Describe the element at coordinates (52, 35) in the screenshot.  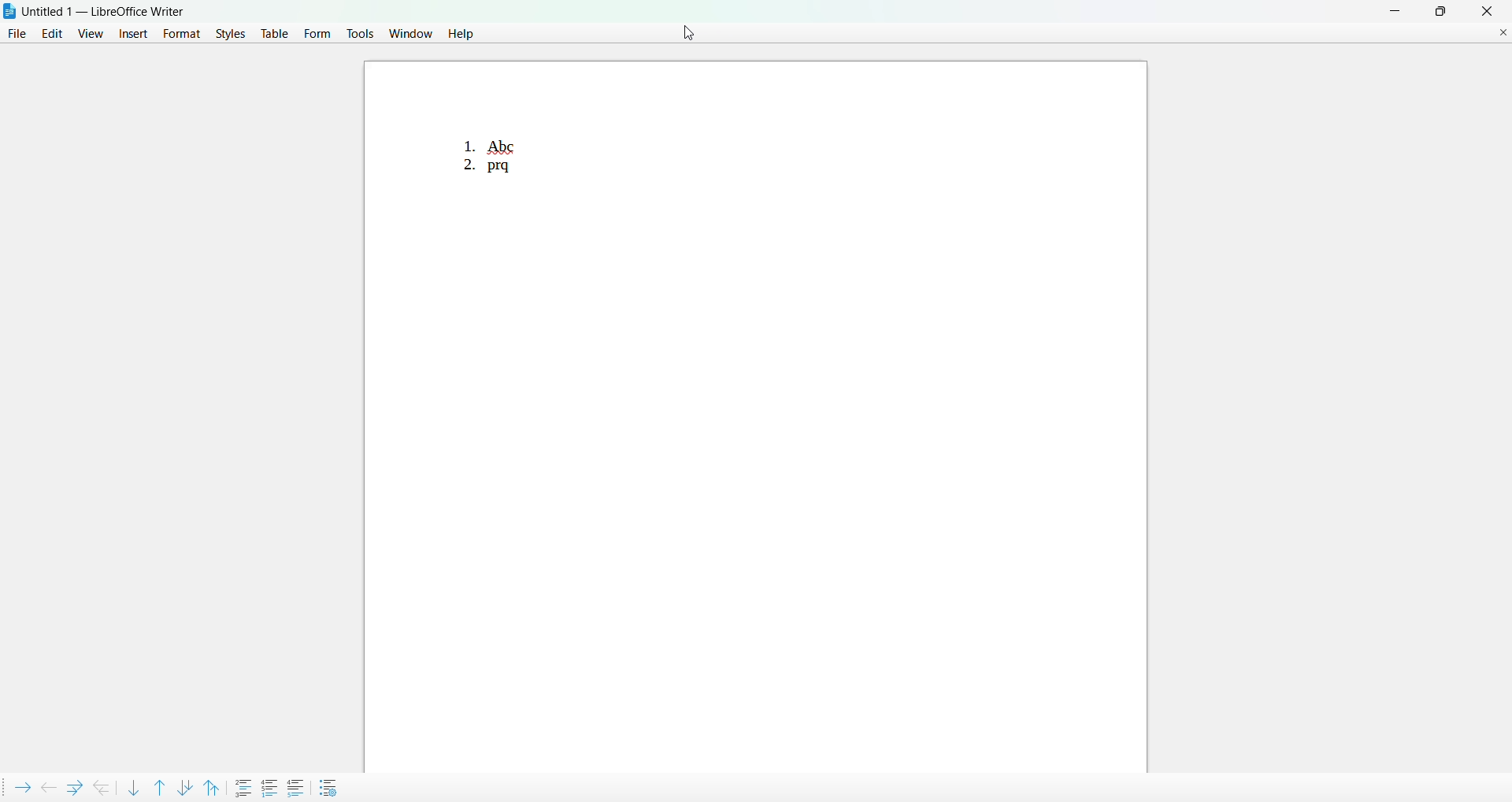
I see `edit` at that location.